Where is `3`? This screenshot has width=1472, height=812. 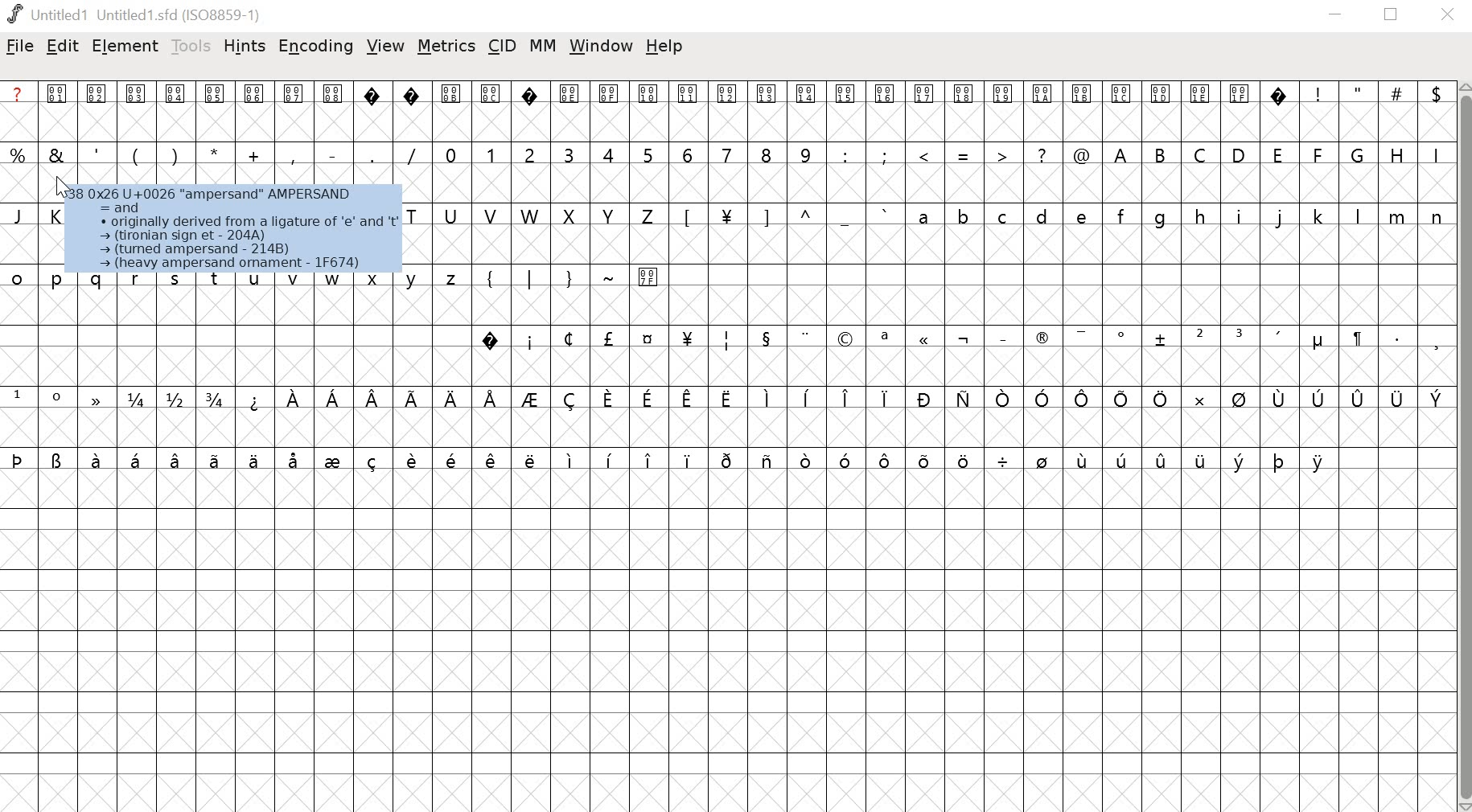 3 is located at coordinates (1241, 336).